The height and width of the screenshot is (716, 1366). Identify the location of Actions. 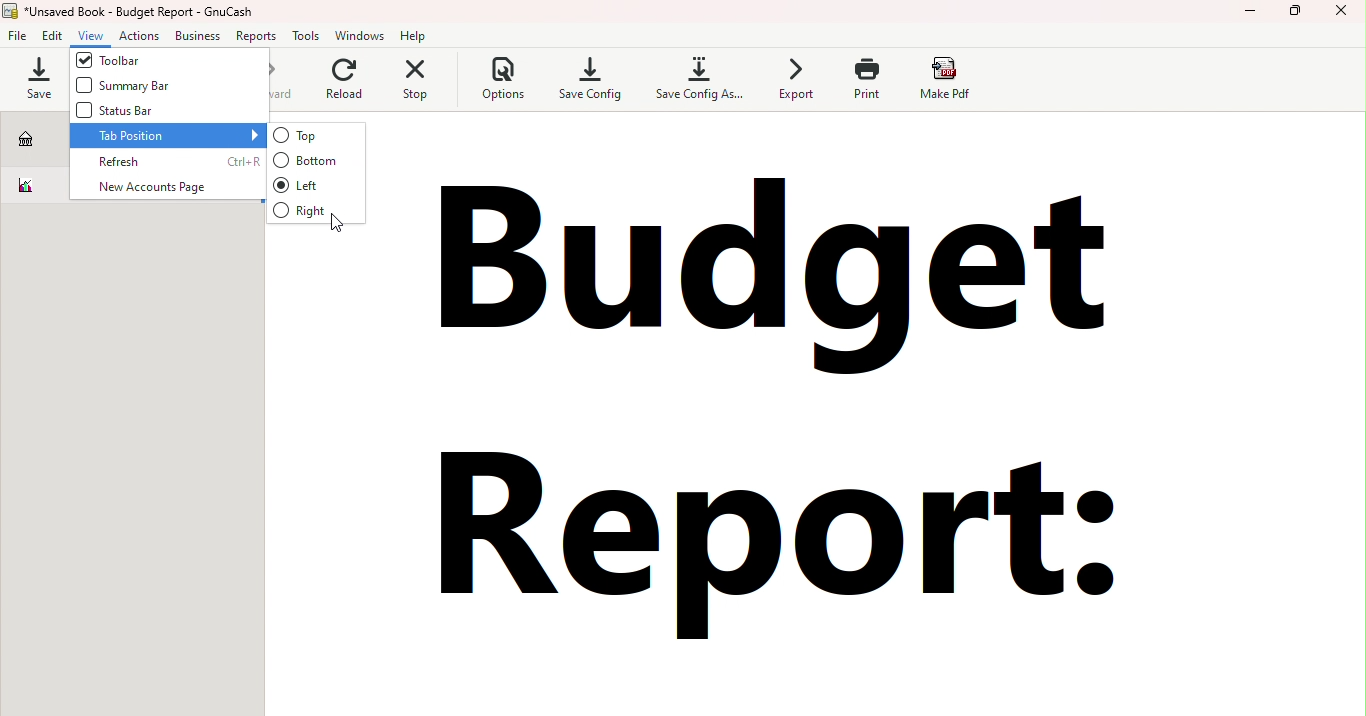
(139, 37).